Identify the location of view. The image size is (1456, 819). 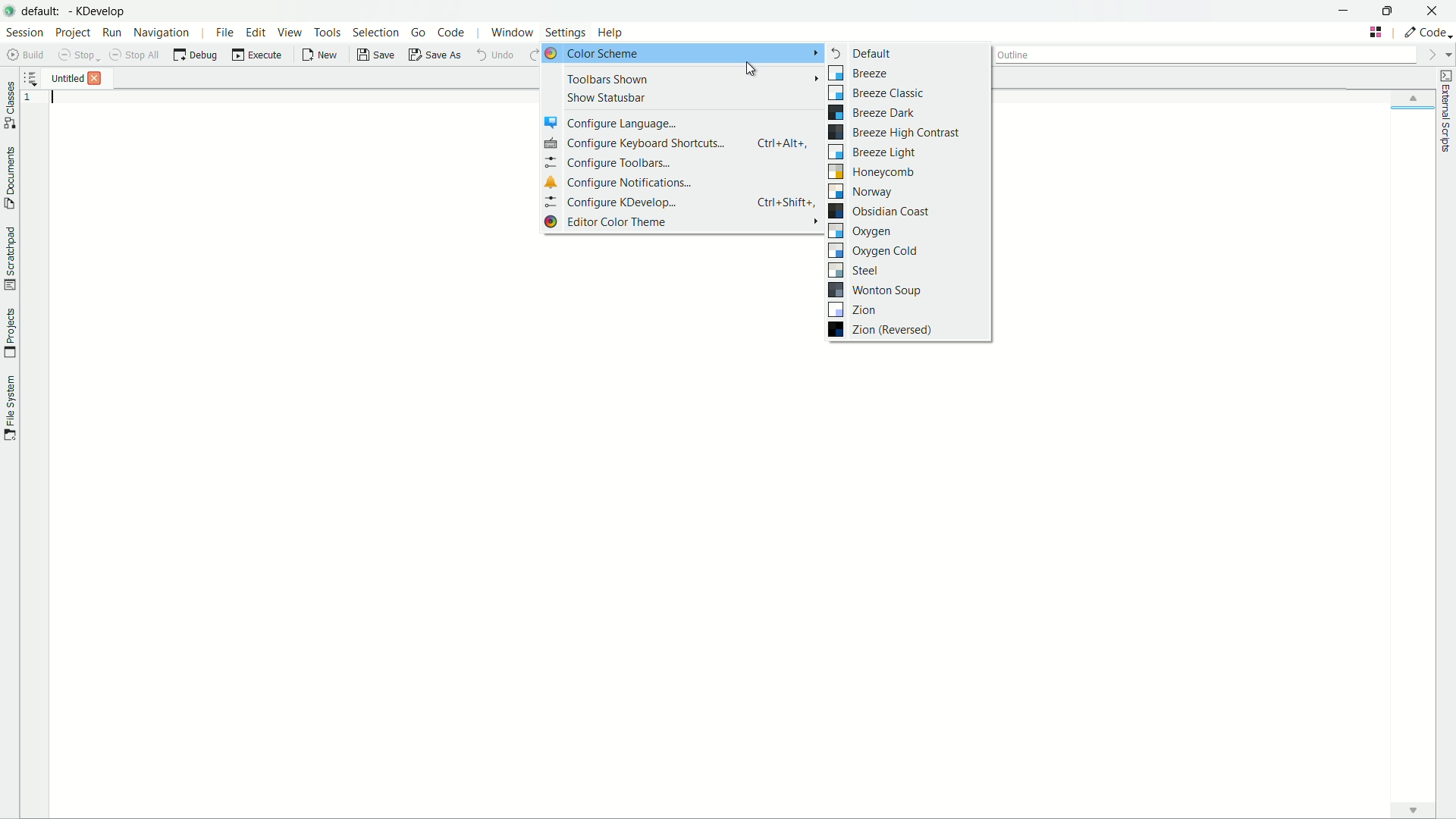
(290, 32).